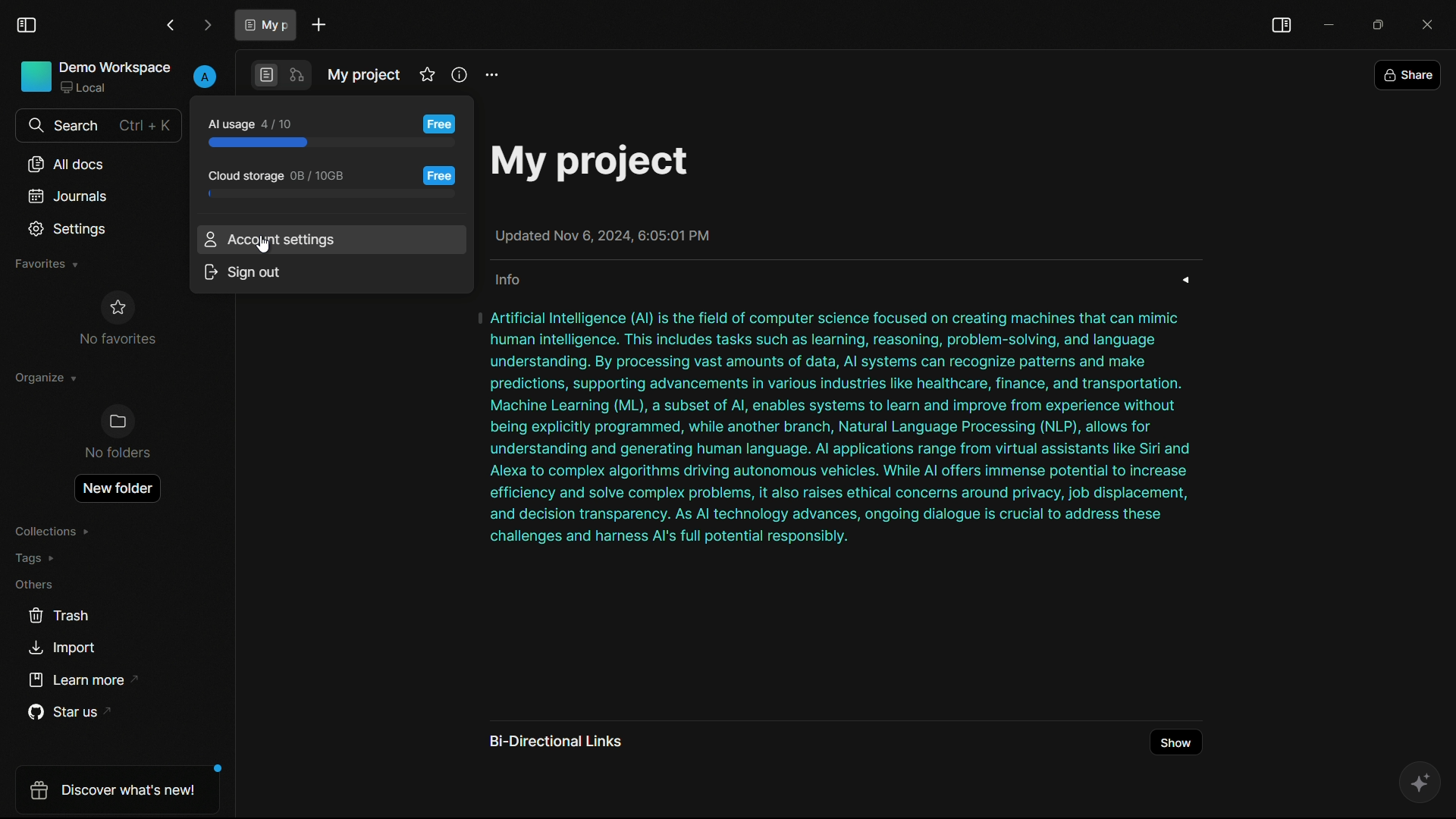  Describe the element at coordinates (79, 680) in the screenshot. I see `learn more` at that location.